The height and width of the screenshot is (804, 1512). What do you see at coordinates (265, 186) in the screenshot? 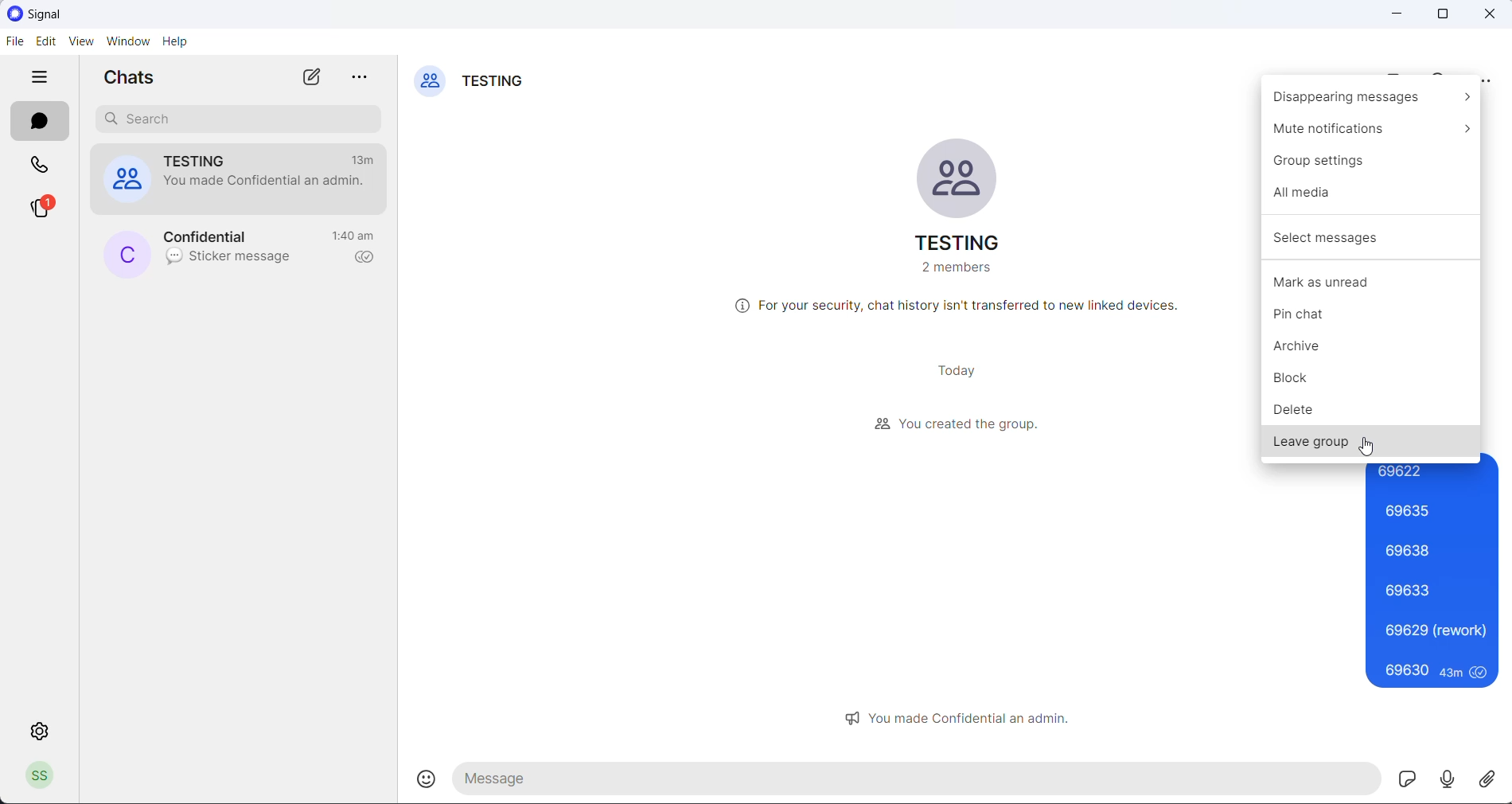
I see `admin change notification` at bounding box center [265, 186].